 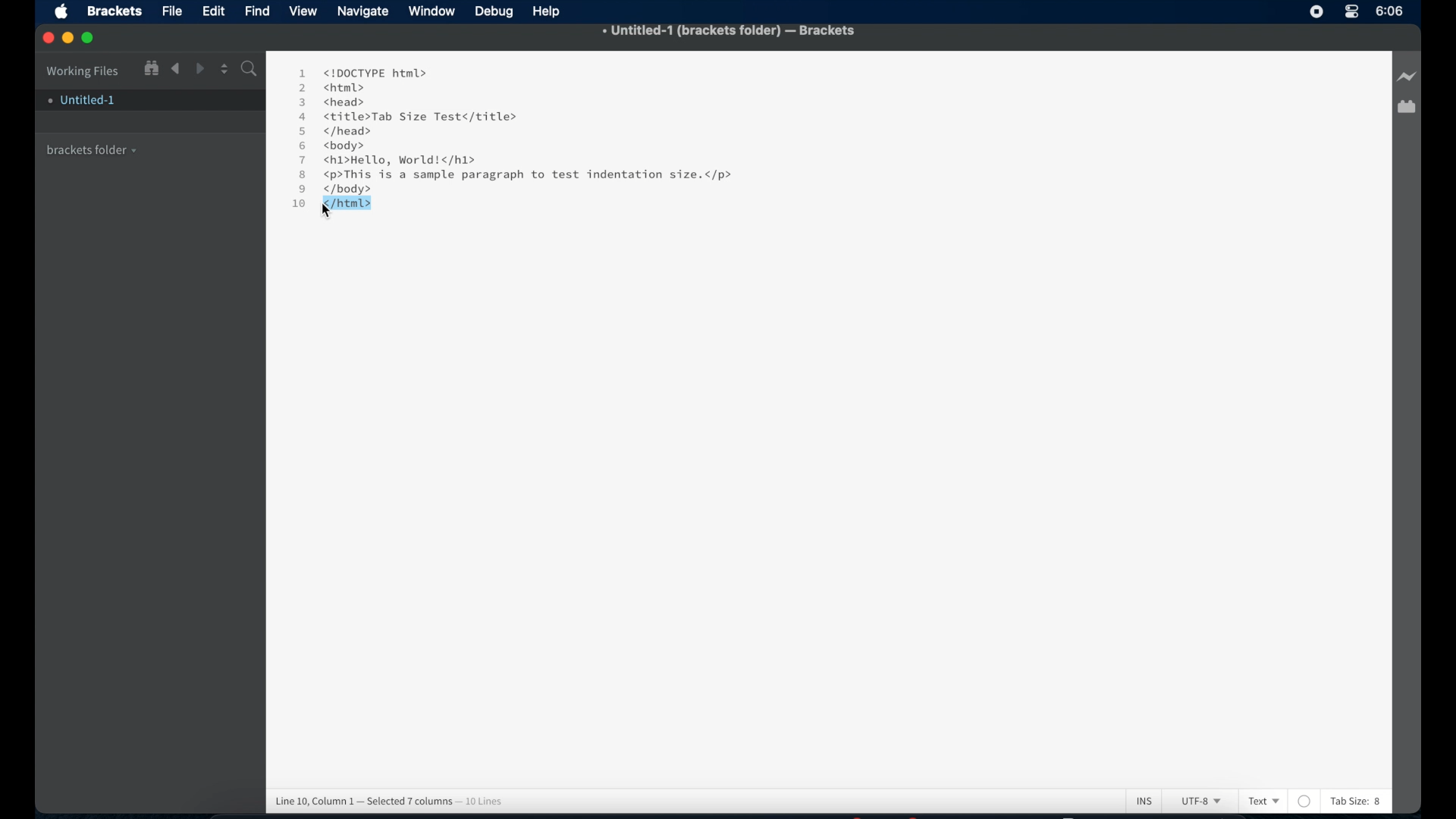 What do you see at coordinates (83, 69) in the screenshot?
I see `Working Files` at bounding box center [83, 69].